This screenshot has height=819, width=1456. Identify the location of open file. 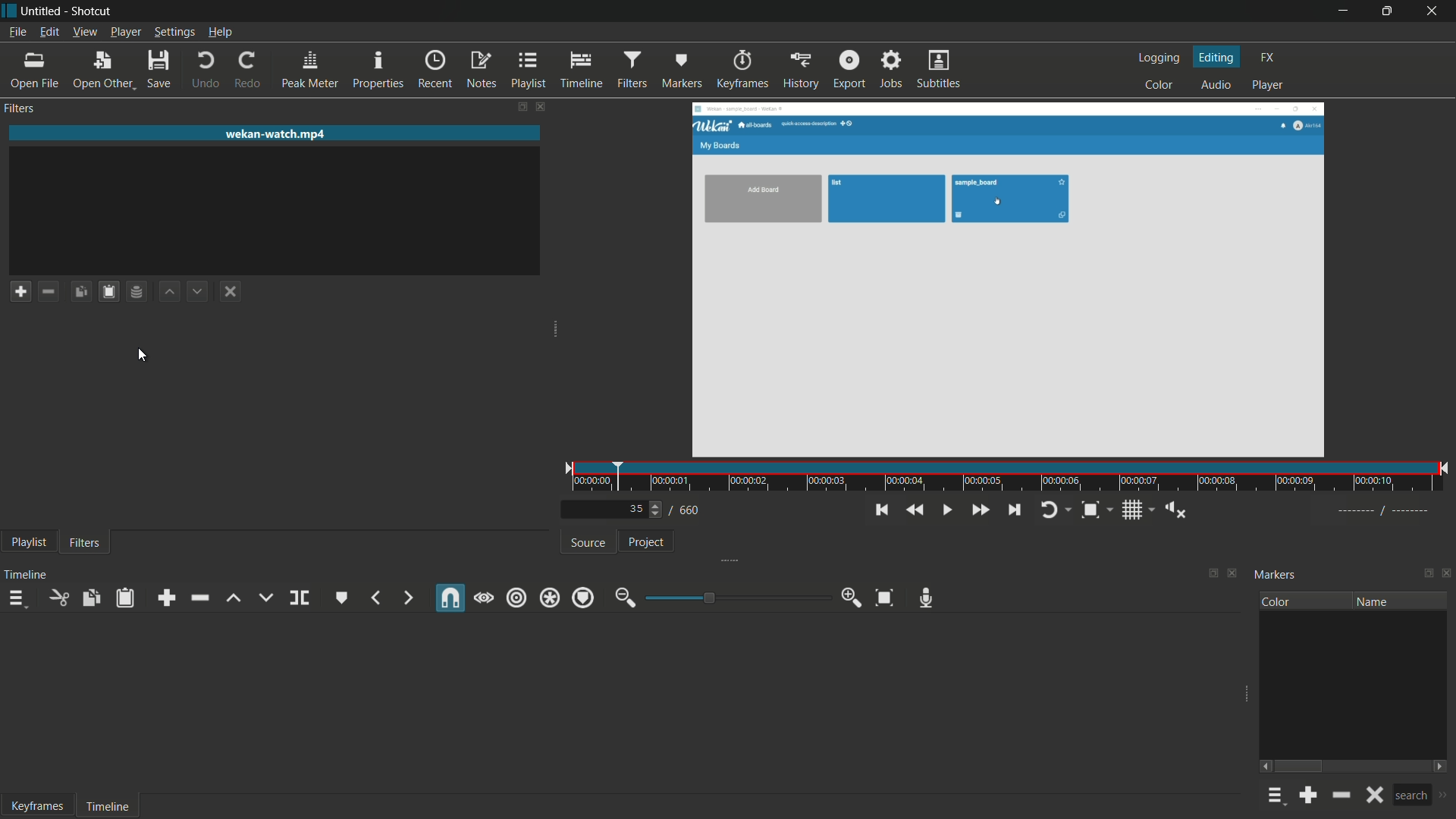
(33, 71).